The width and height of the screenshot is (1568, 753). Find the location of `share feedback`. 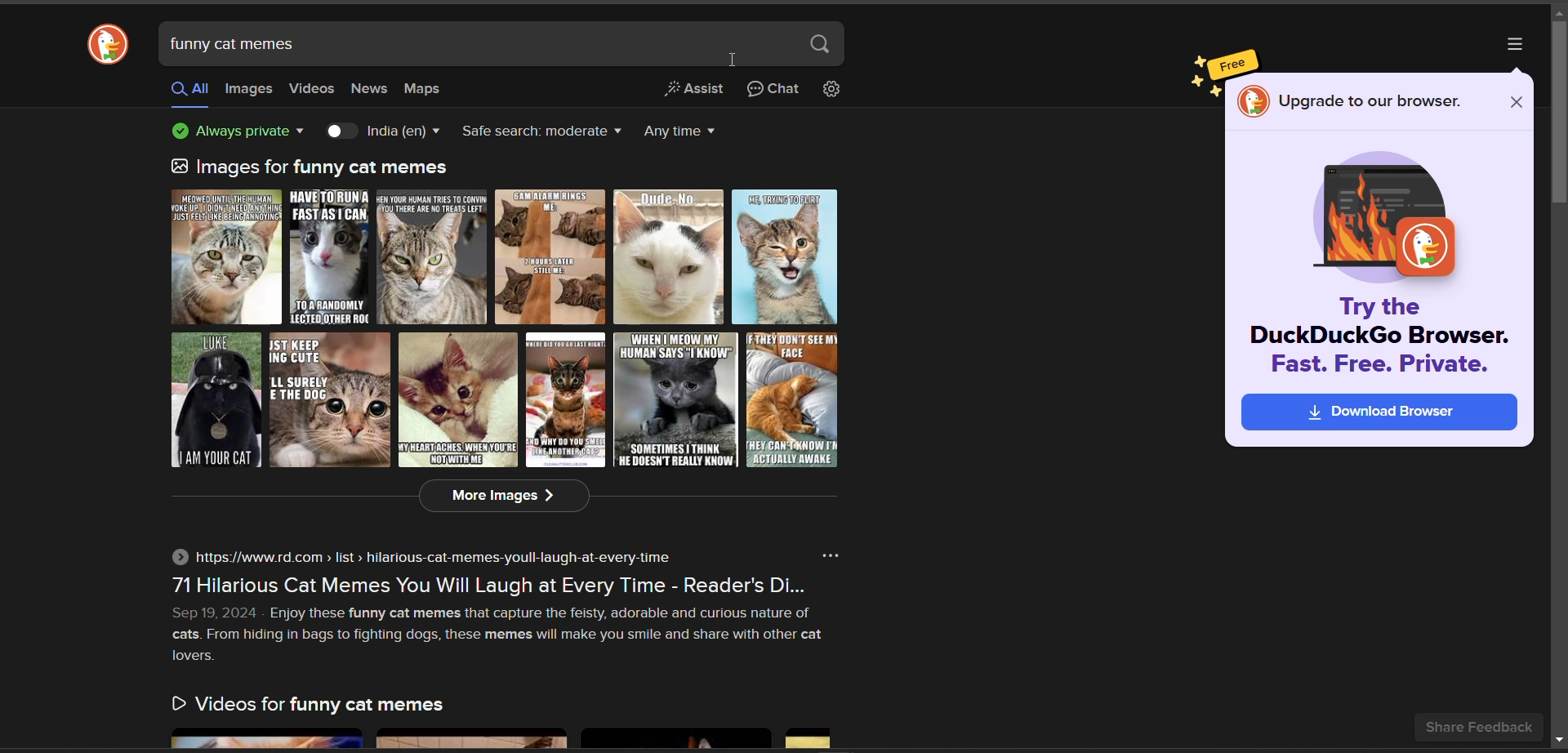

share feedback is located at coordinates (1478, 727).